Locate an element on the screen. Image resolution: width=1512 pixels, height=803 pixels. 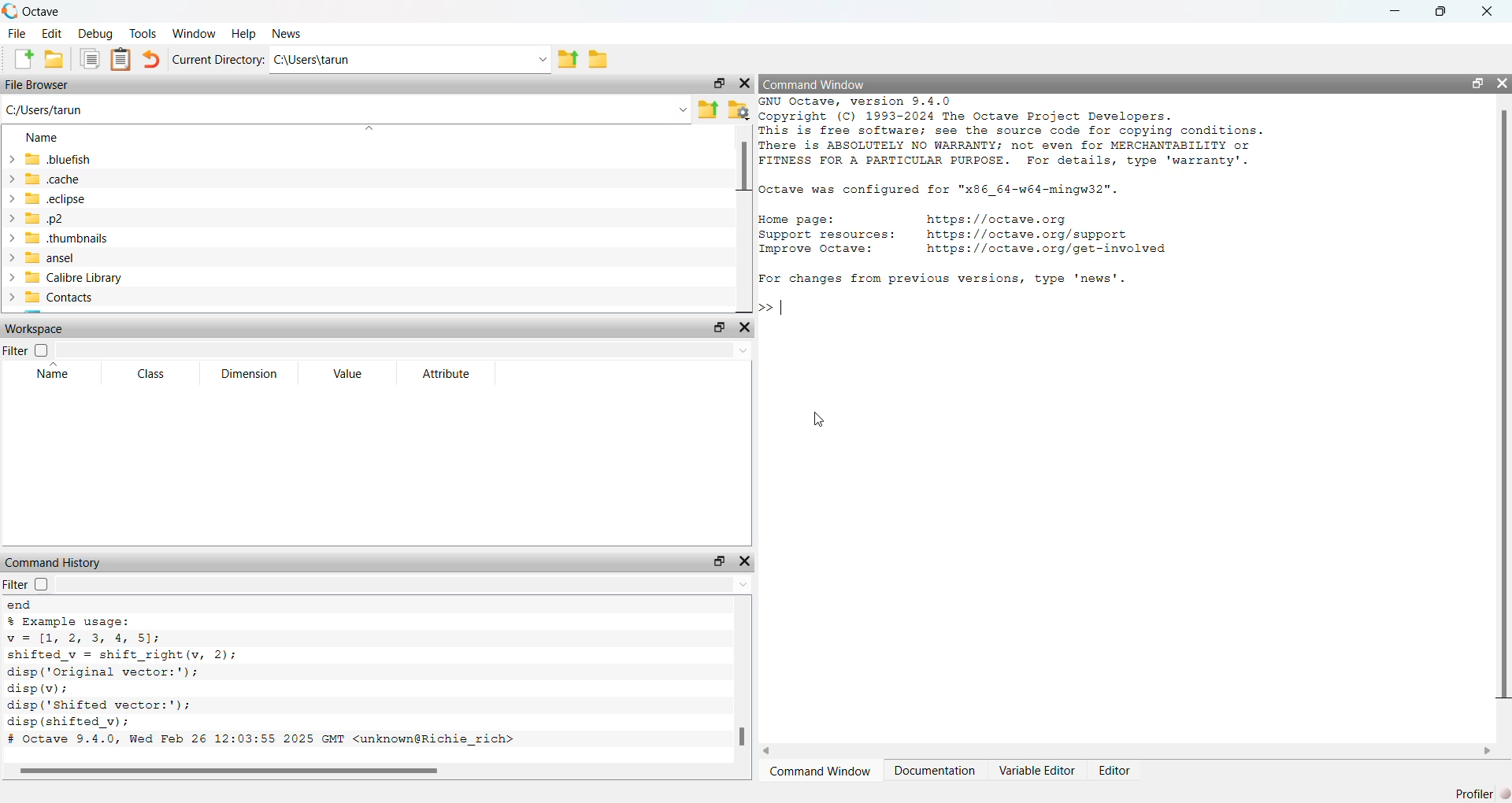
unlock widget is located at coordinates (715, 560).